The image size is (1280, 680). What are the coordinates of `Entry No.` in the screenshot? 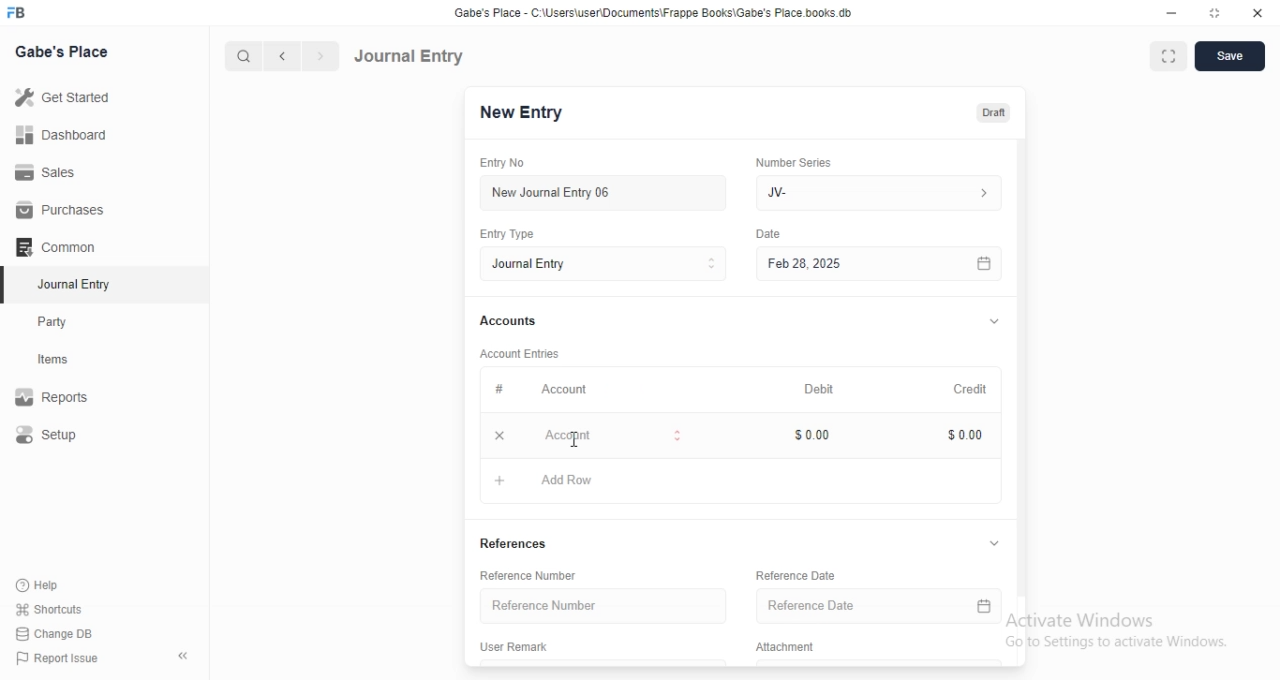 It's located at (508, 163).